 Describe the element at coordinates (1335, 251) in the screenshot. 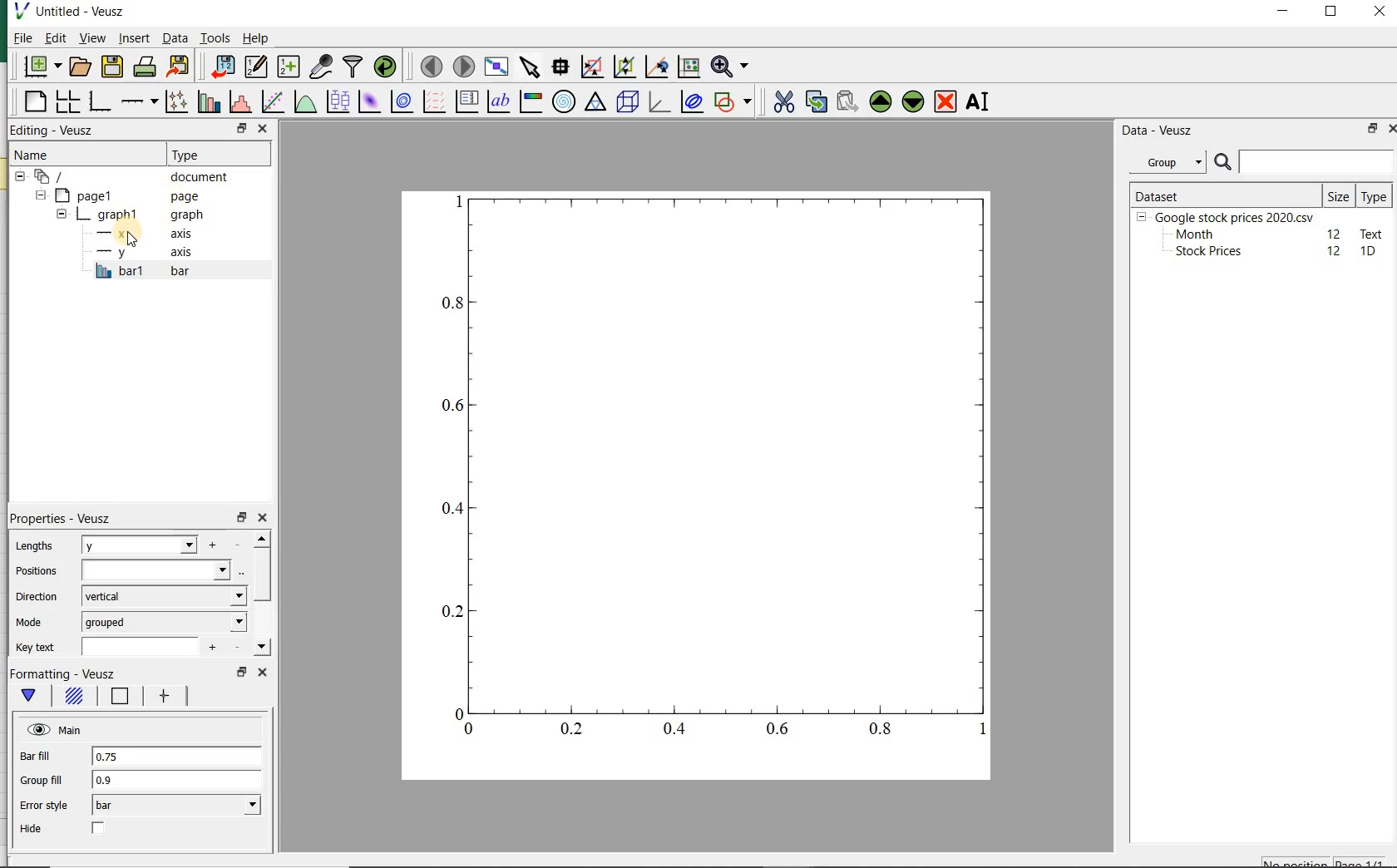

I see `12` at that location.